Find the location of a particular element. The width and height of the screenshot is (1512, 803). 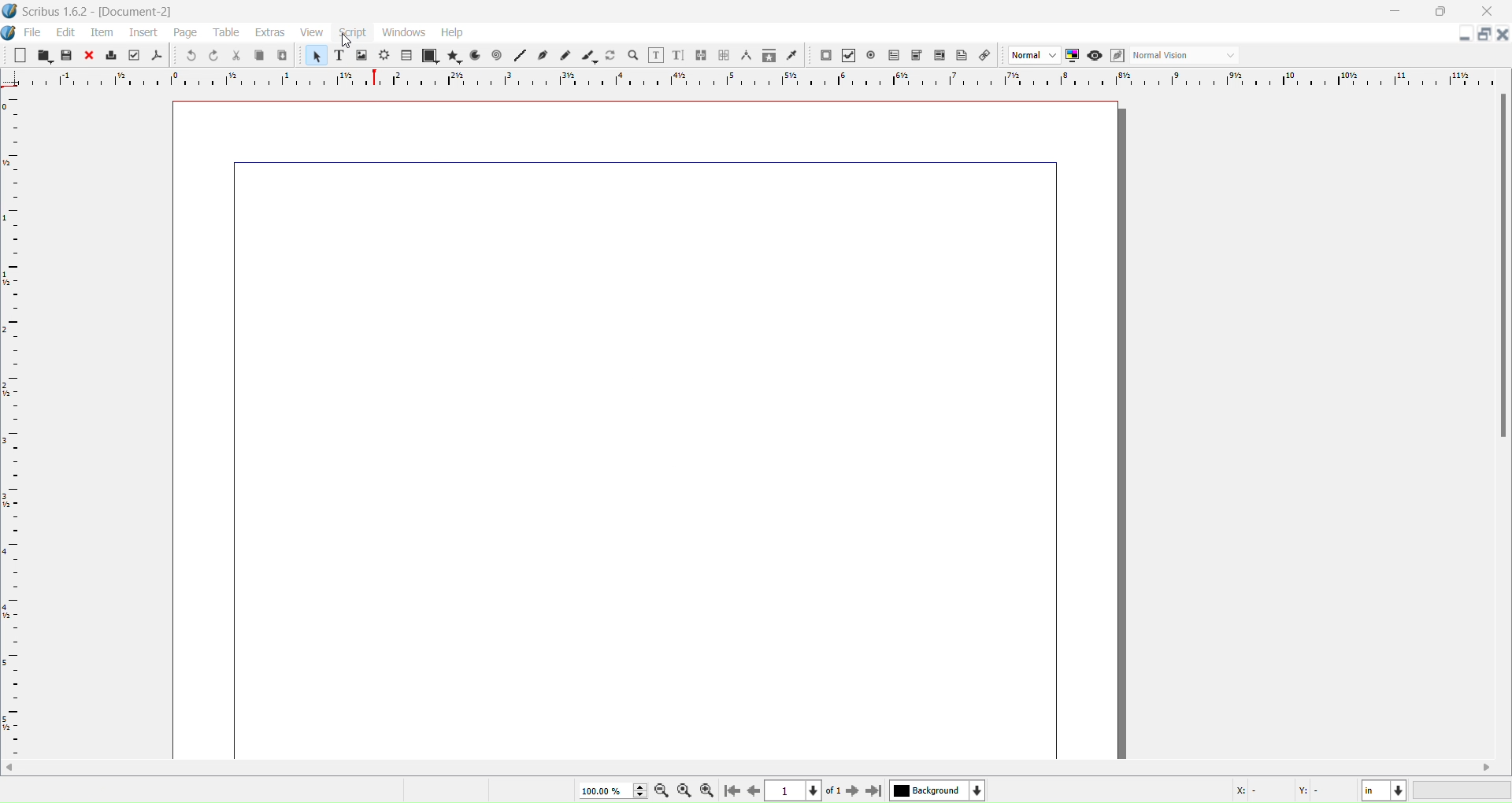

PDF Radio Button is located at coordinates (871, 56).